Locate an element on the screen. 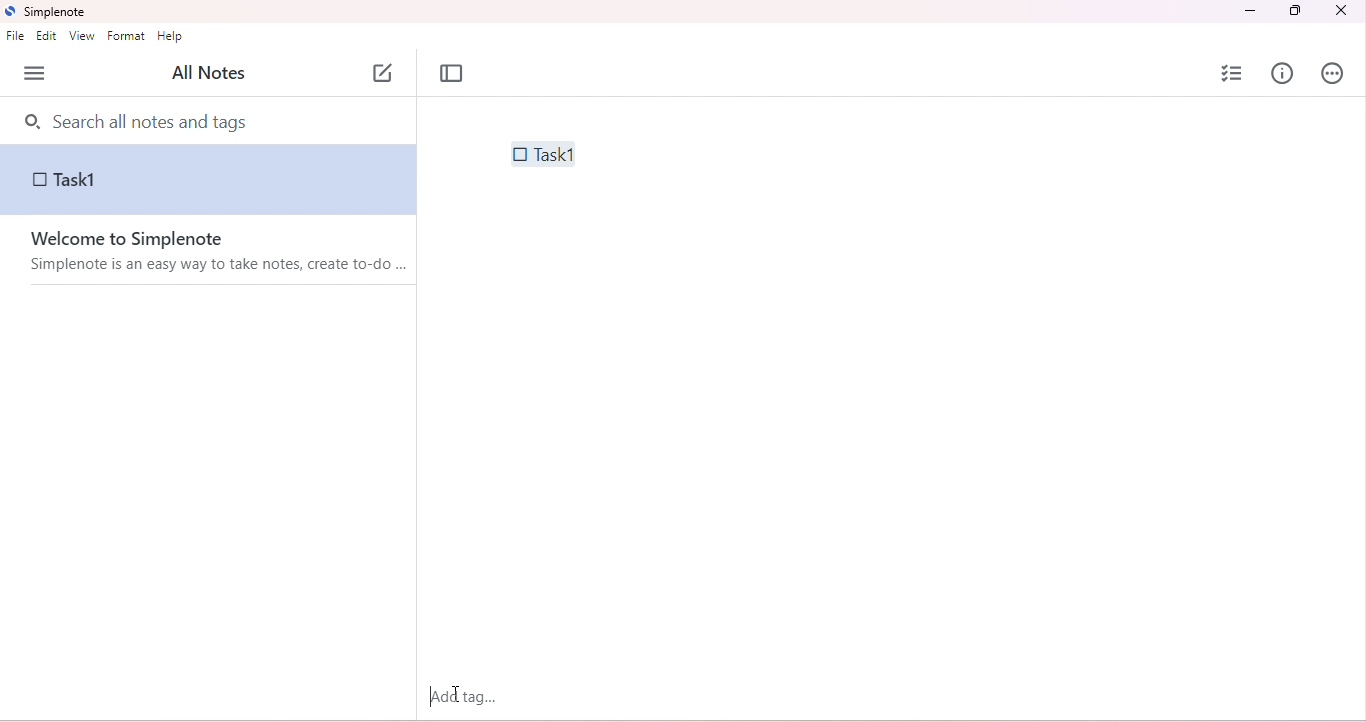  simplenote is located at coordinates (54, 13).